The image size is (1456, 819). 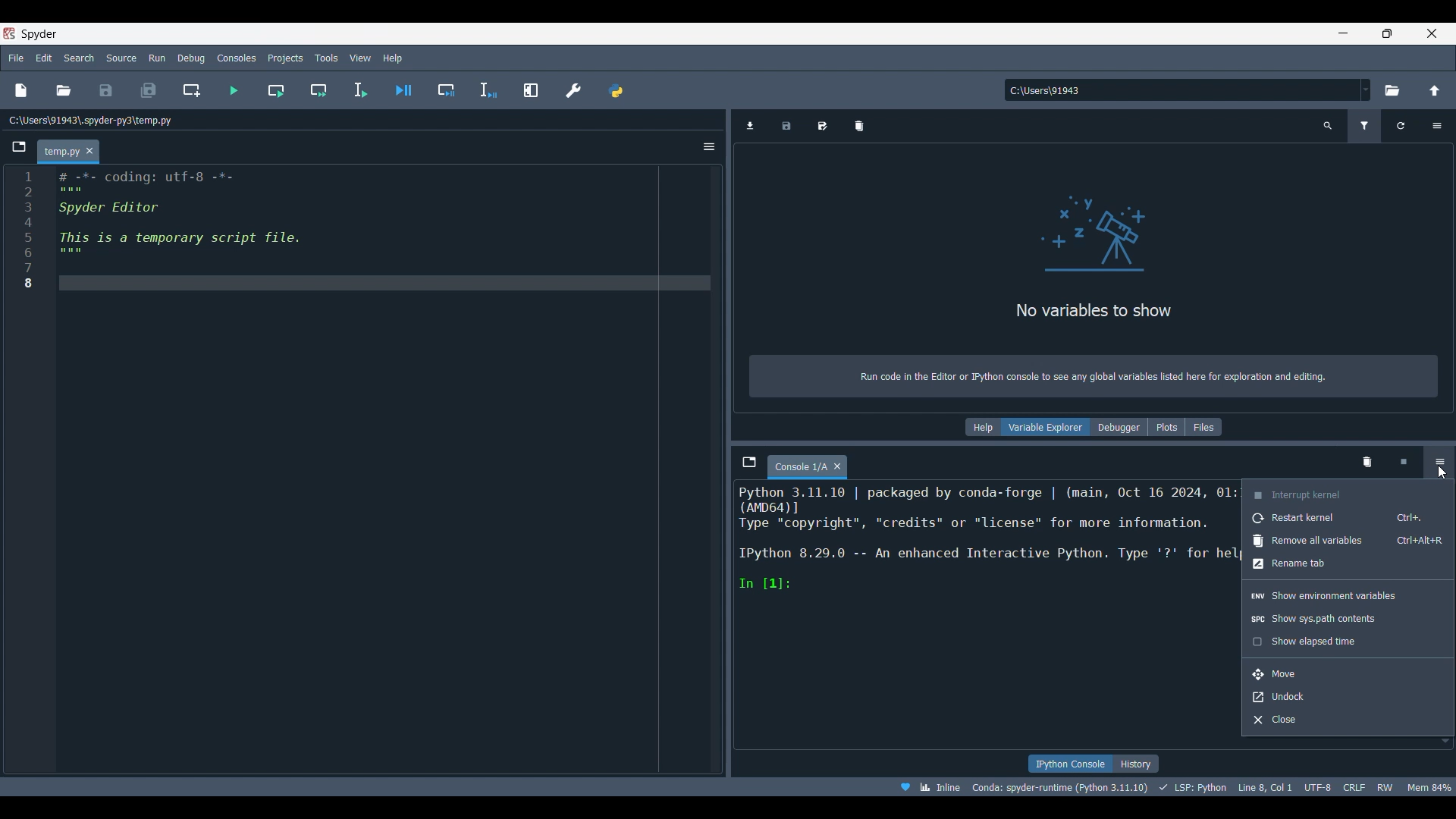 I want to click on Python 3.11.10 | packaged by conda-forge | (main, Oct 16 2024, 01:17:14) [MSC v.1941 6L°00¢C
C3 ree, “credits” or "license" for more information.

IPython 8.29.0 -- An enhanced Interactive Python. Type '?* for help.

In [1]:, so click(x=982, y=551).